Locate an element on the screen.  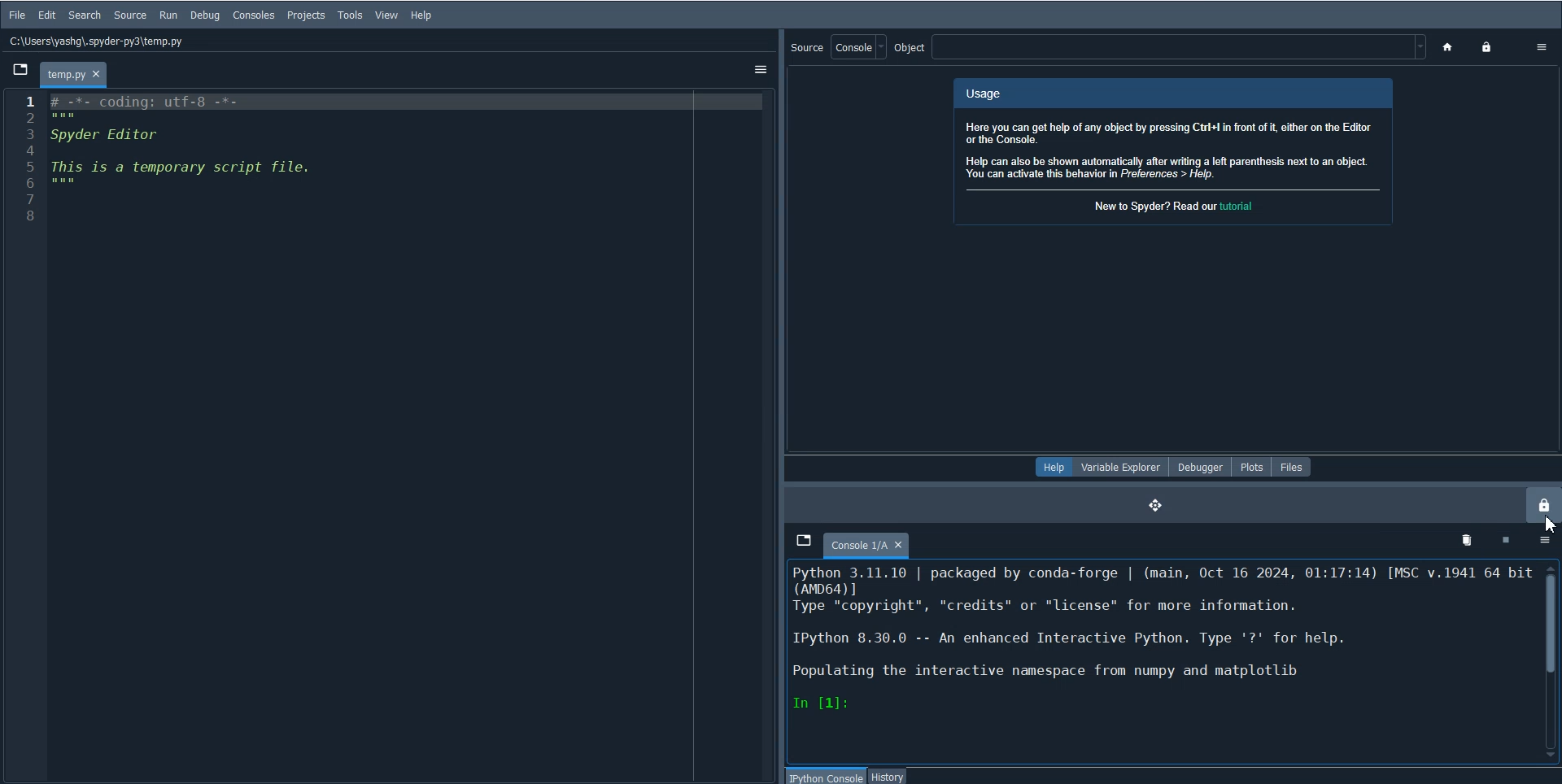
Files is located at coordinates (1292, 467).